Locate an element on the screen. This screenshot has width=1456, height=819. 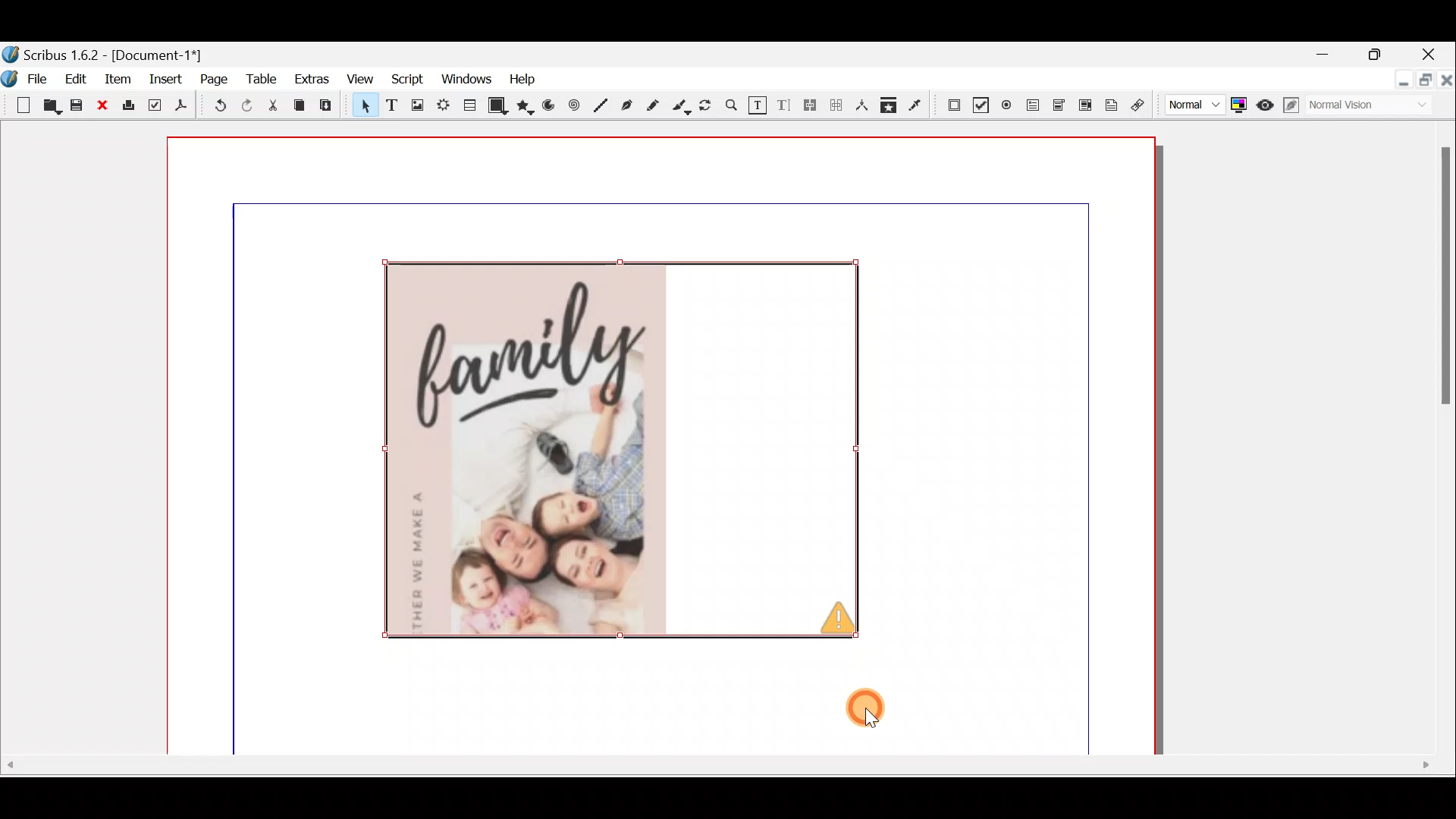
Close is located at coordinates (1447, 83).